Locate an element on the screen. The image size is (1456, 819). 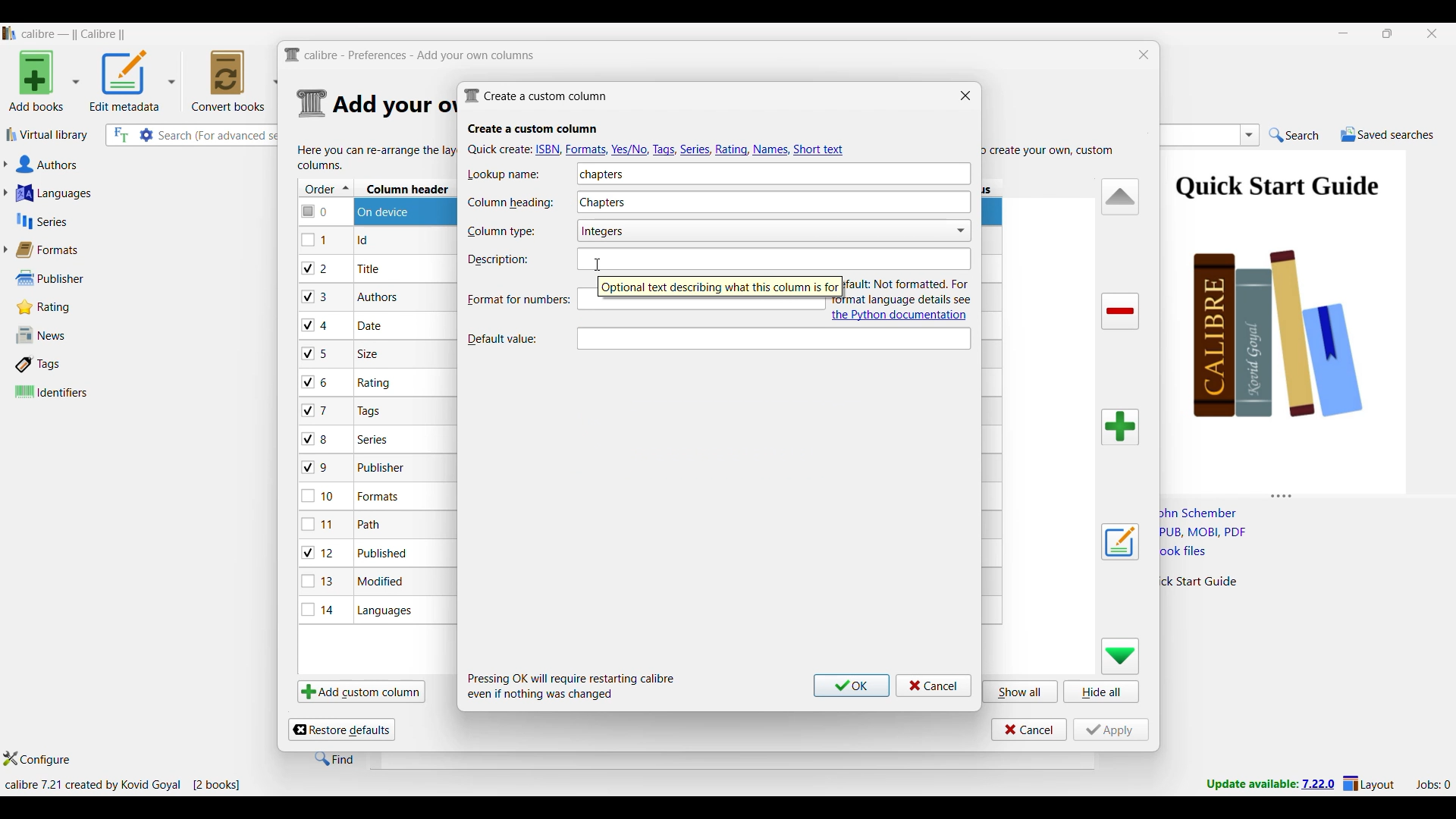
Close window is located at coordinates (965, 95).